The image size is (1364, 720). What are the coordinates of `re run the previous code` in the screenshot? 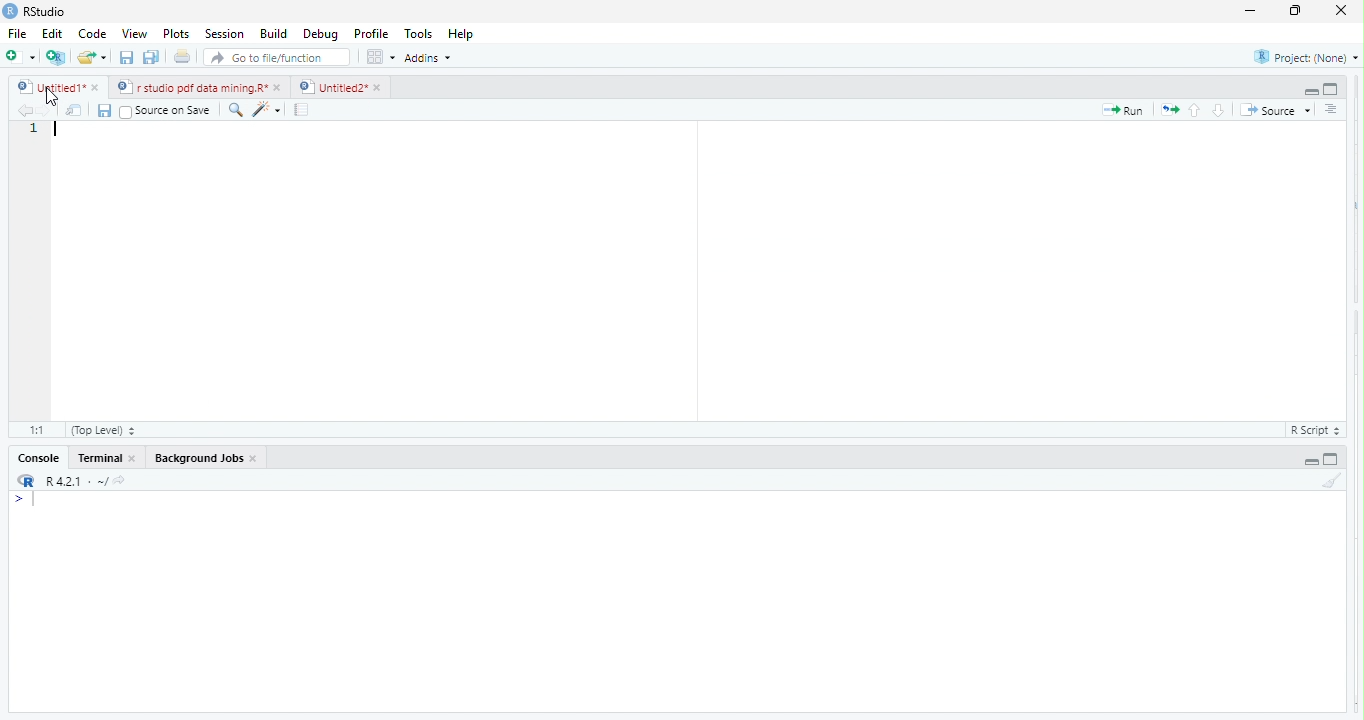 It's located at (1172, 110).